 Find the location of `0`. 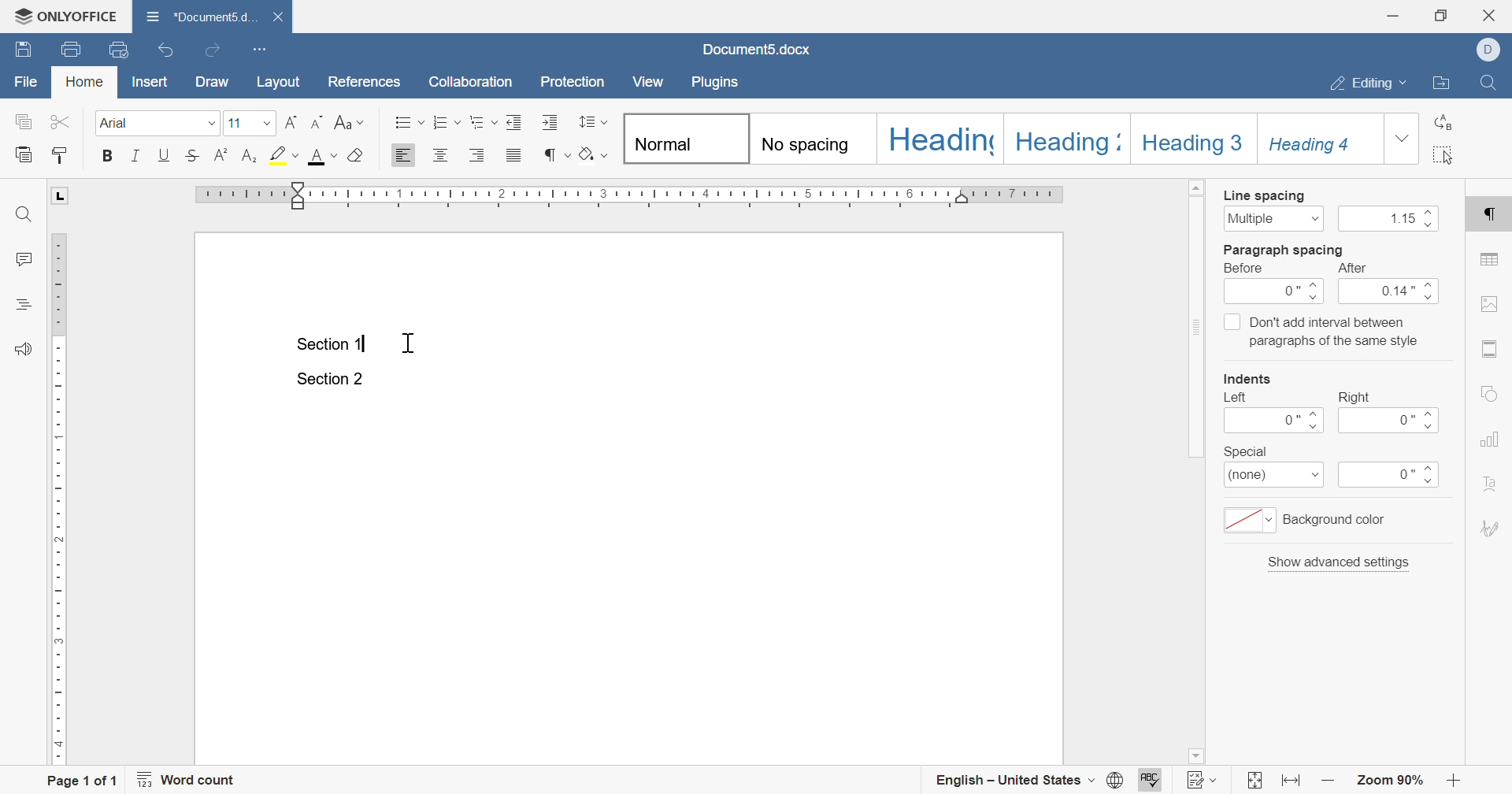

0 is located at coordinates (1390, 476).